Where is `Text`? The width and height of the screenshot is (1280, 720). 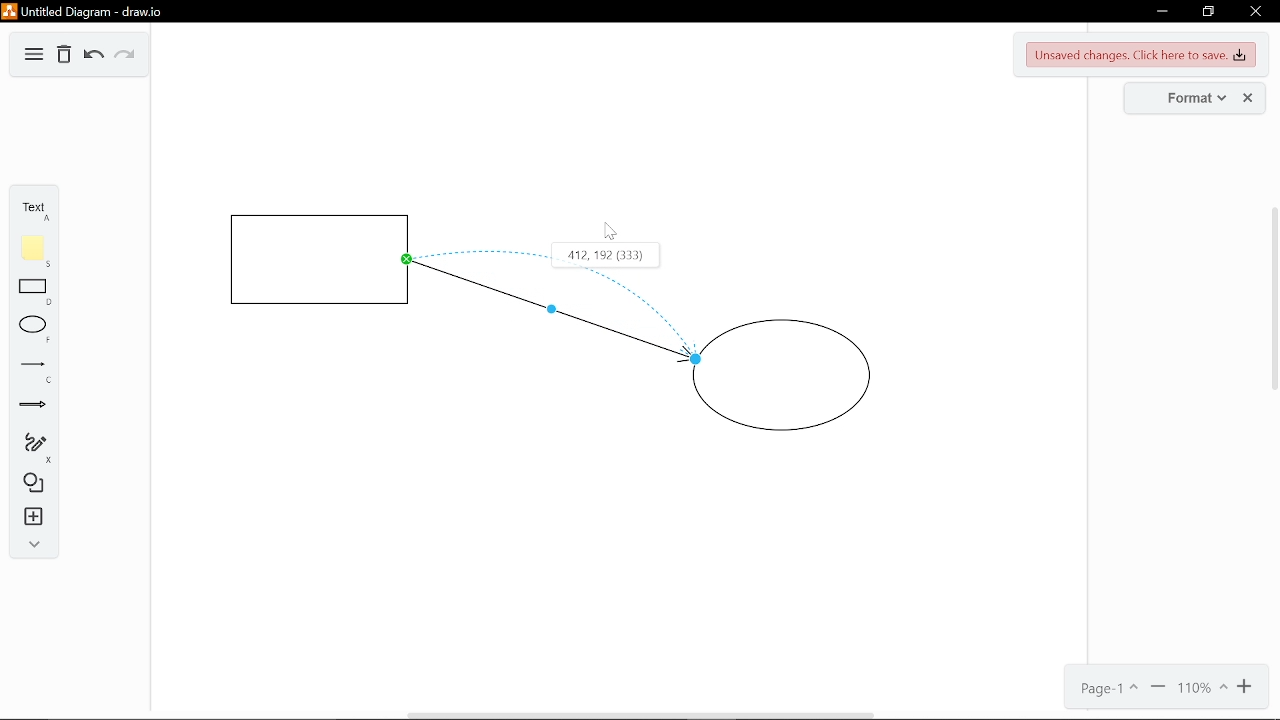
Text is located at coordinates (32, 208).